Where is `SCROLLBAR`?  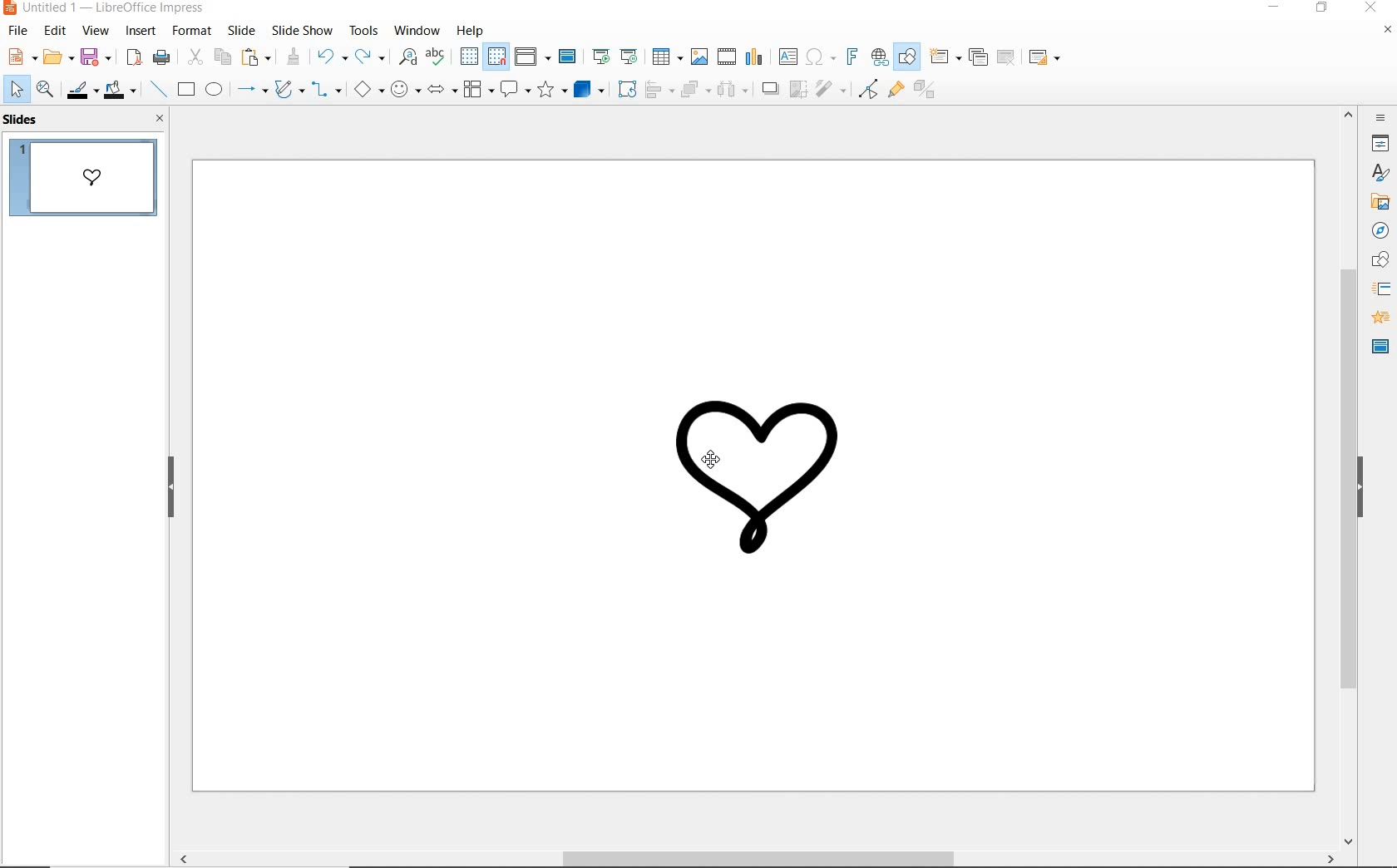 SCROLLBAR is located at coordinates (1346, 479).